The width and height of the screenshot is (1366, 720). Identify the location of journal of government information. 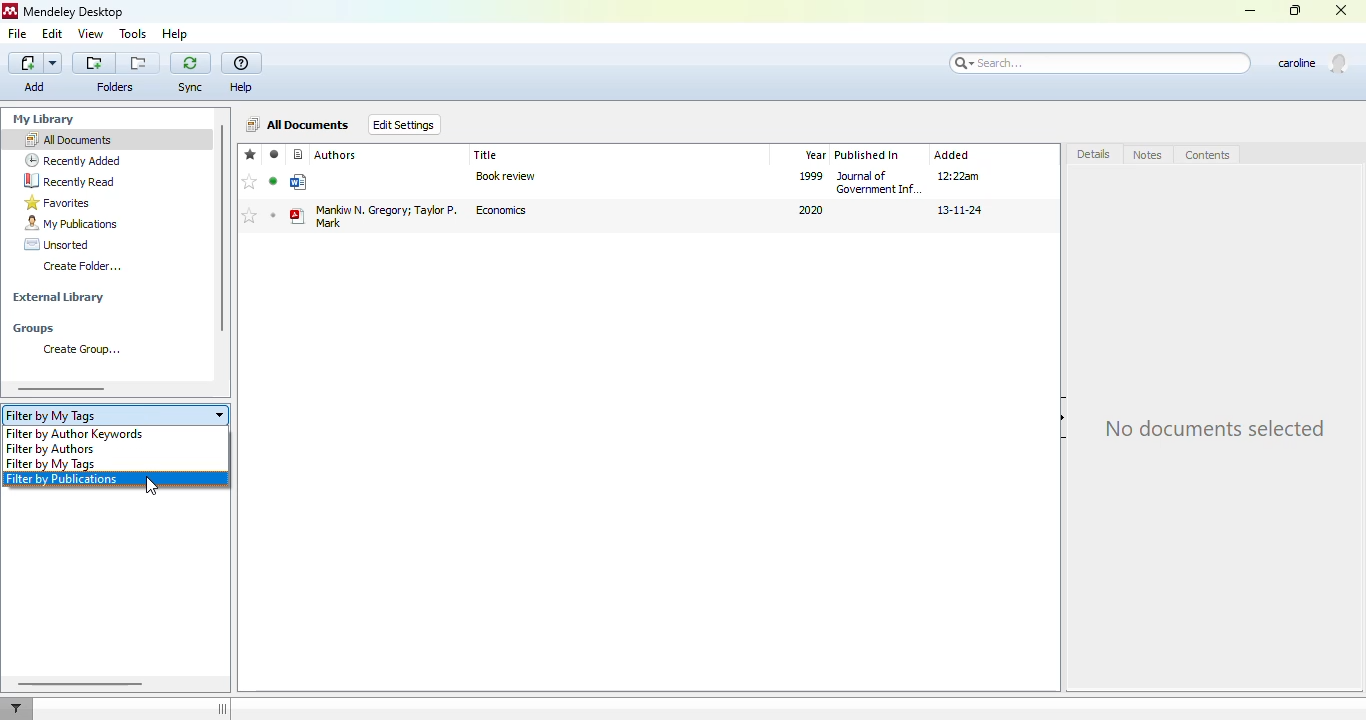
(879, 182).